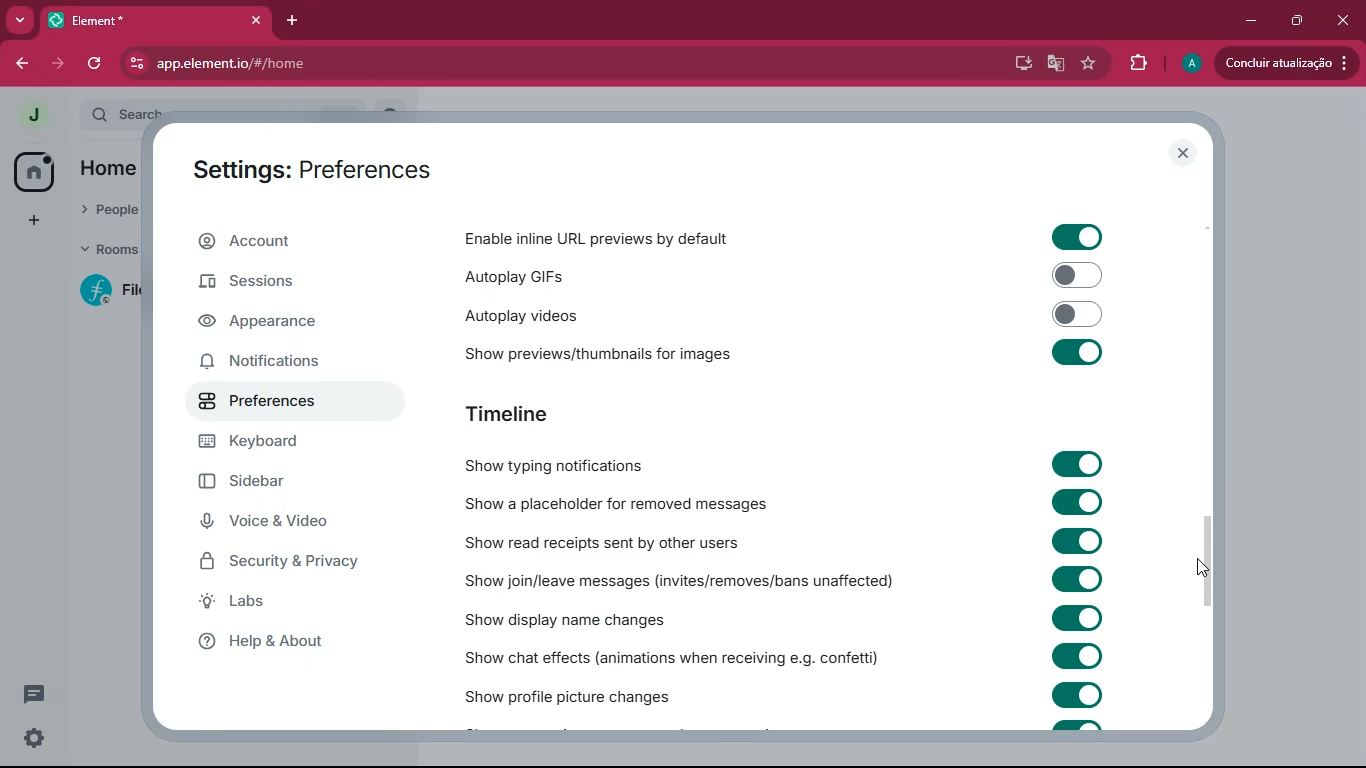  What do you see at coordinates (570, 692) in the screenshot?
I see `show profile picture changes` at bounding box center [570, 692].